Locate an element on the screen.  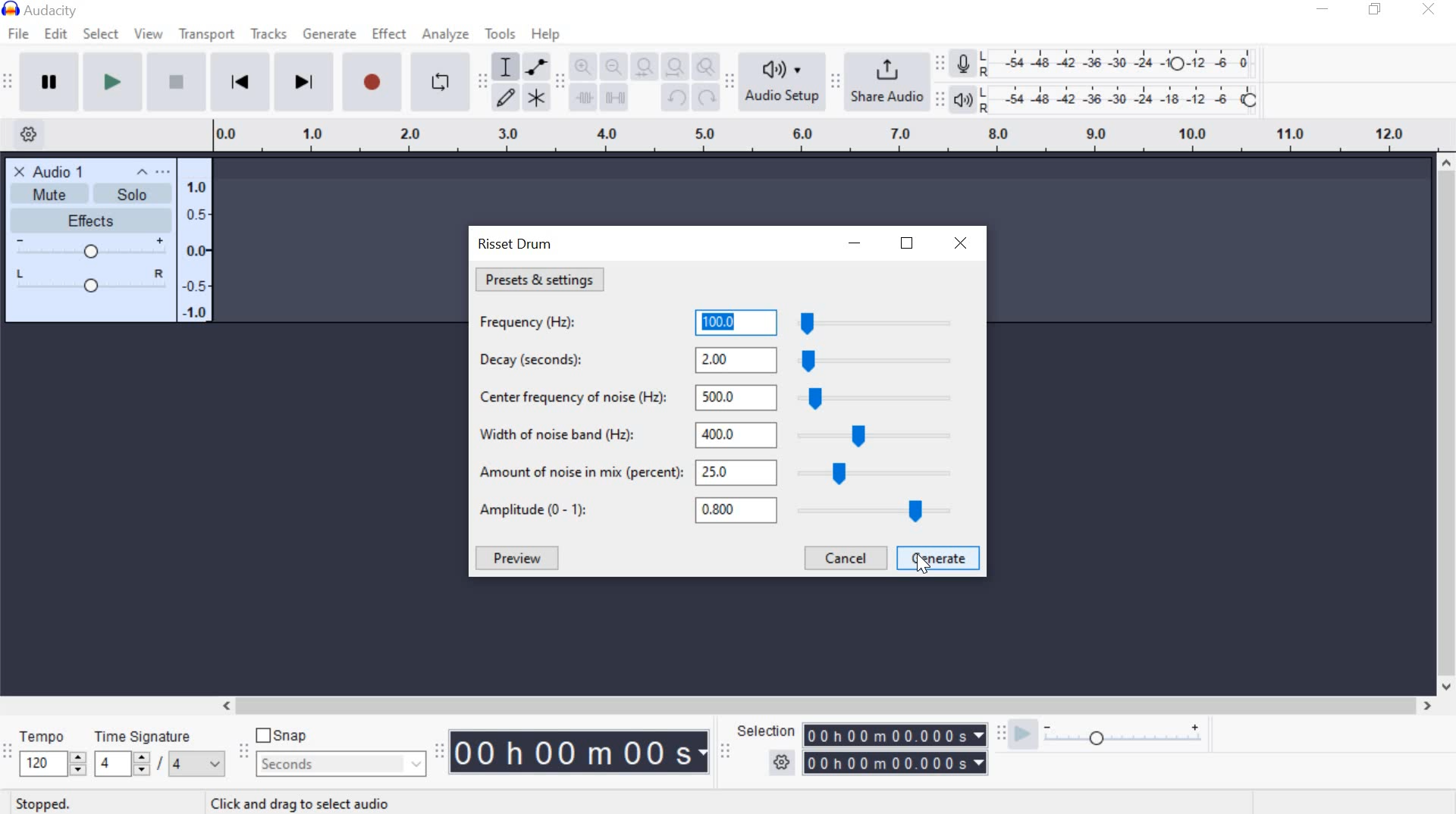
Recording meter toolbar is located at coordinates (939, 61).